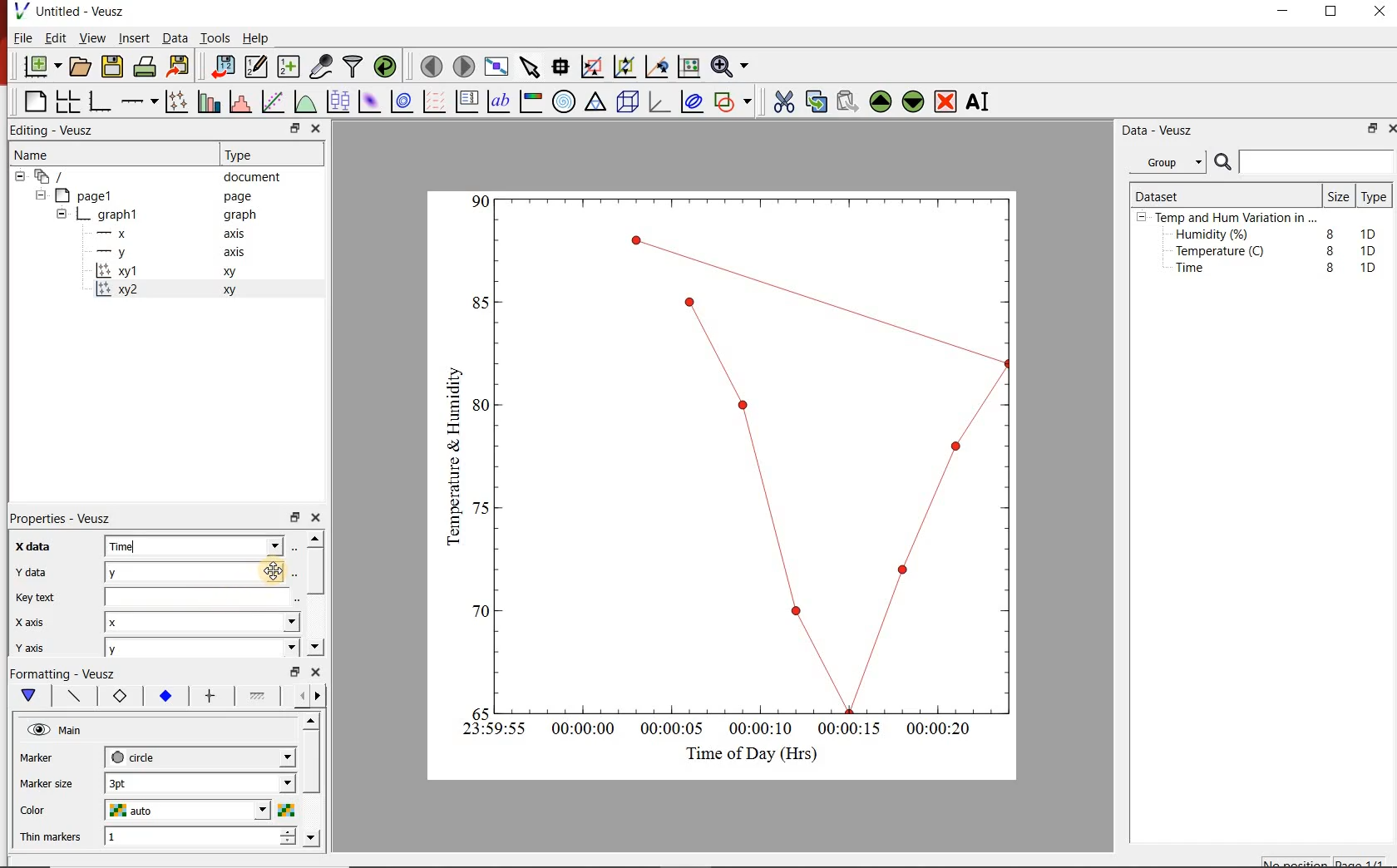 The image size is (1397, 868). I want to click on plot key, so click(470, 101).